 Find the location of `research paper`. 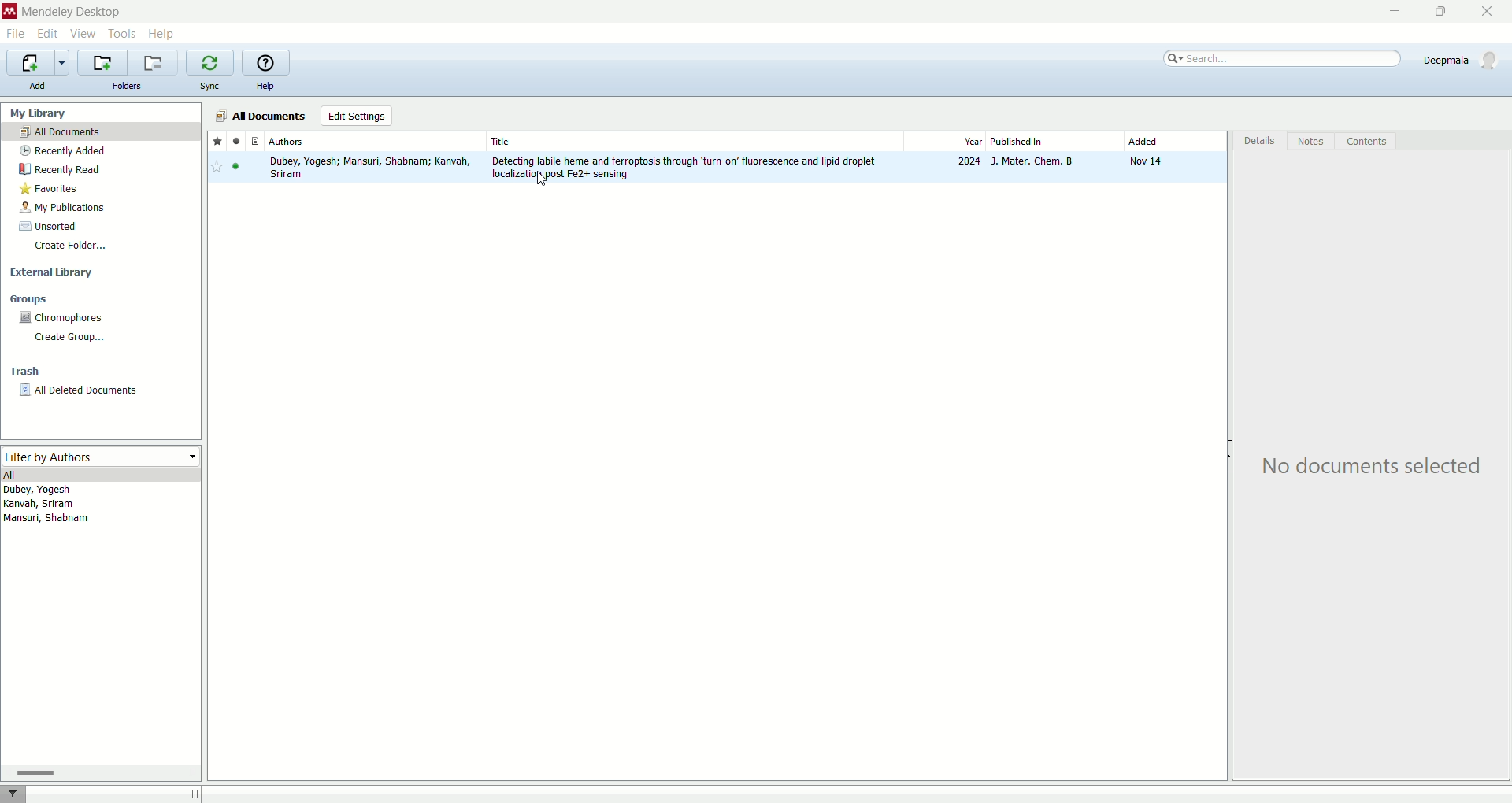

research paper is located at coordinates (721, 167).